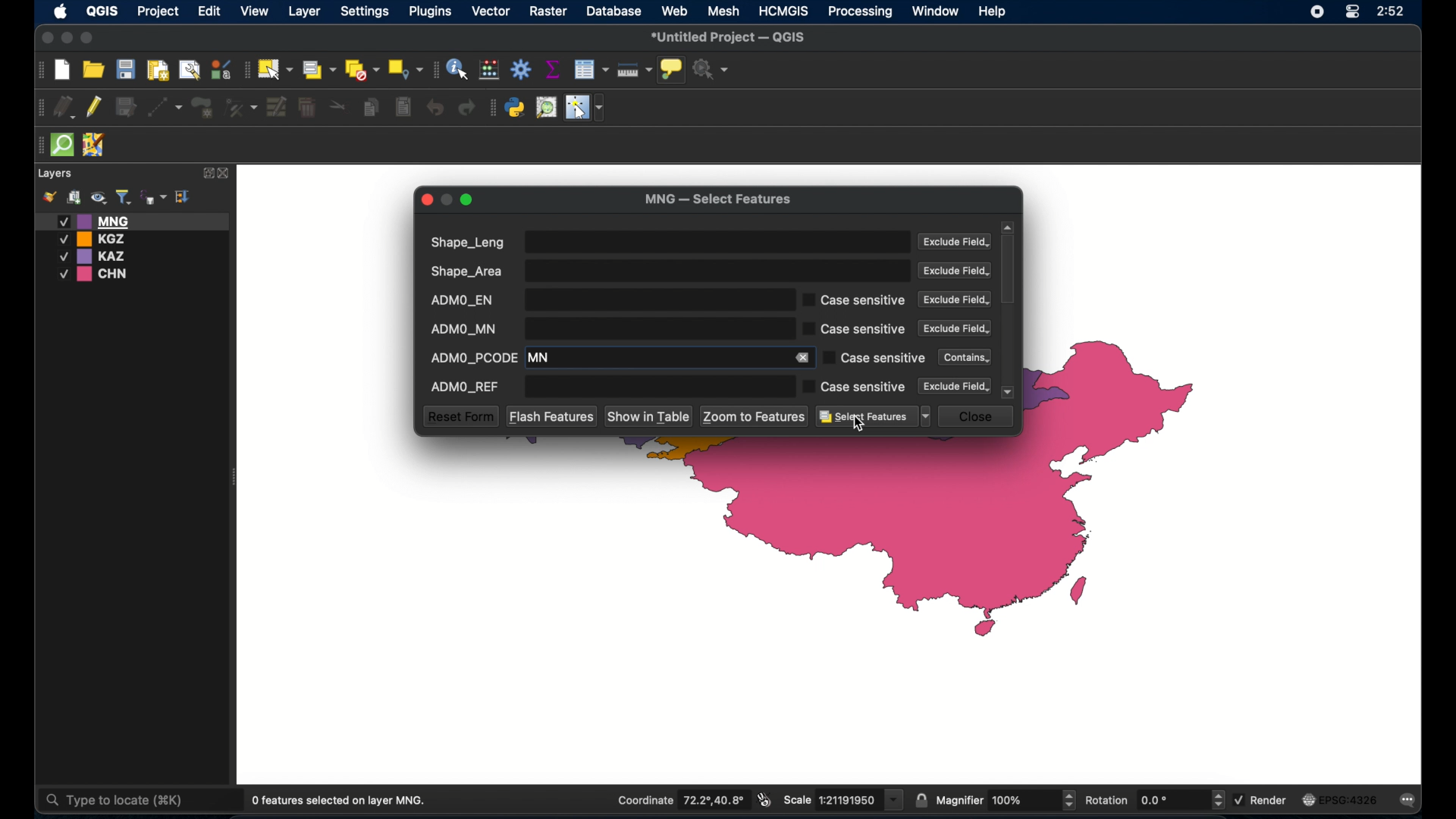 This screenshot has width=1456, height=819. I want to click on current edits, so click(64, 106).